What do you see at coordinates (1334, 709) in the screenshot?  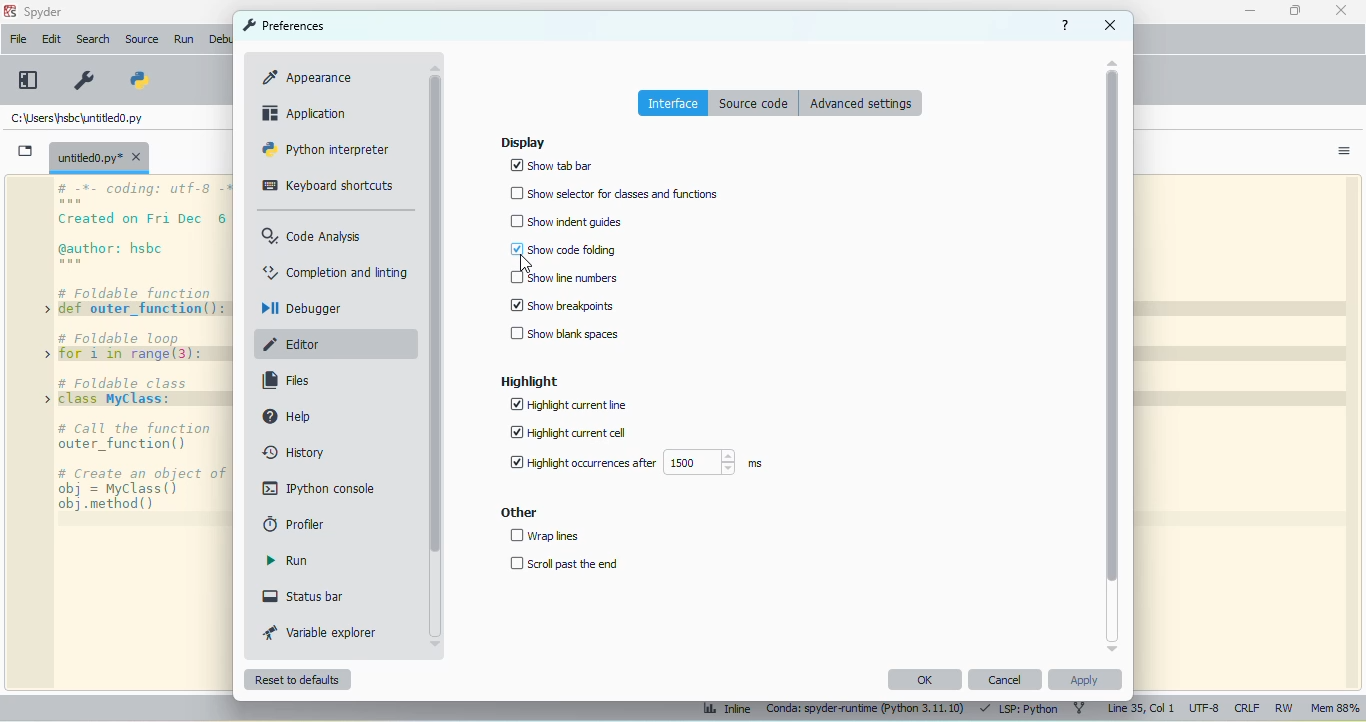 I see `mem 88%` at bounding box center [1334, 709].